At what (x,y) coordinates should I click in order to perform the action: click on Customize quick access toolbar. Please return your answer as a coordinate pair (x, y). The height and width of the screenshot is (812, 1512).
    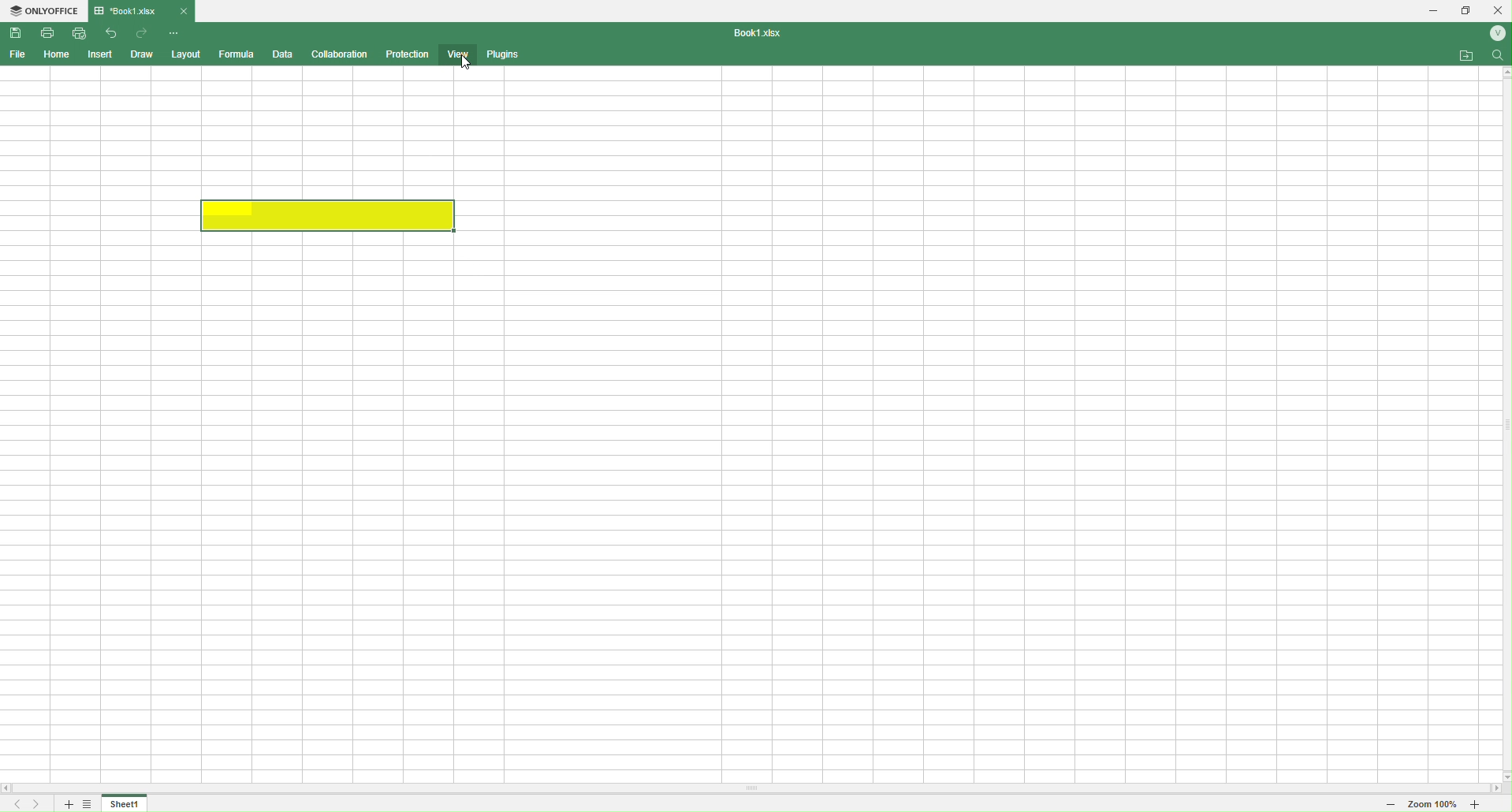
    Looking at the image, I should click on (174, 33).